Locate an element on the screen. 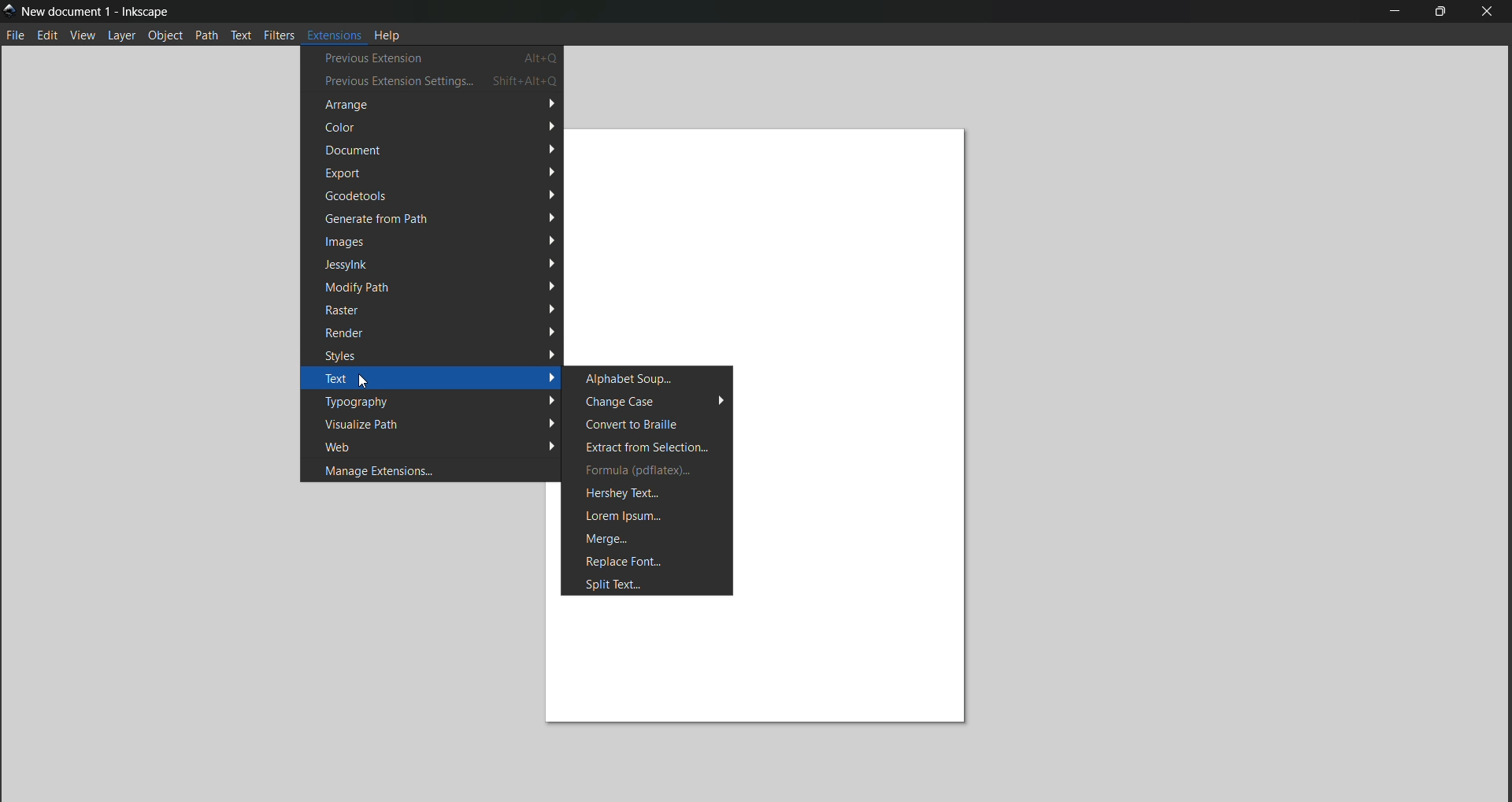 This screenshot has width=1512, height=802. close is located at coordinates (1488, 12).